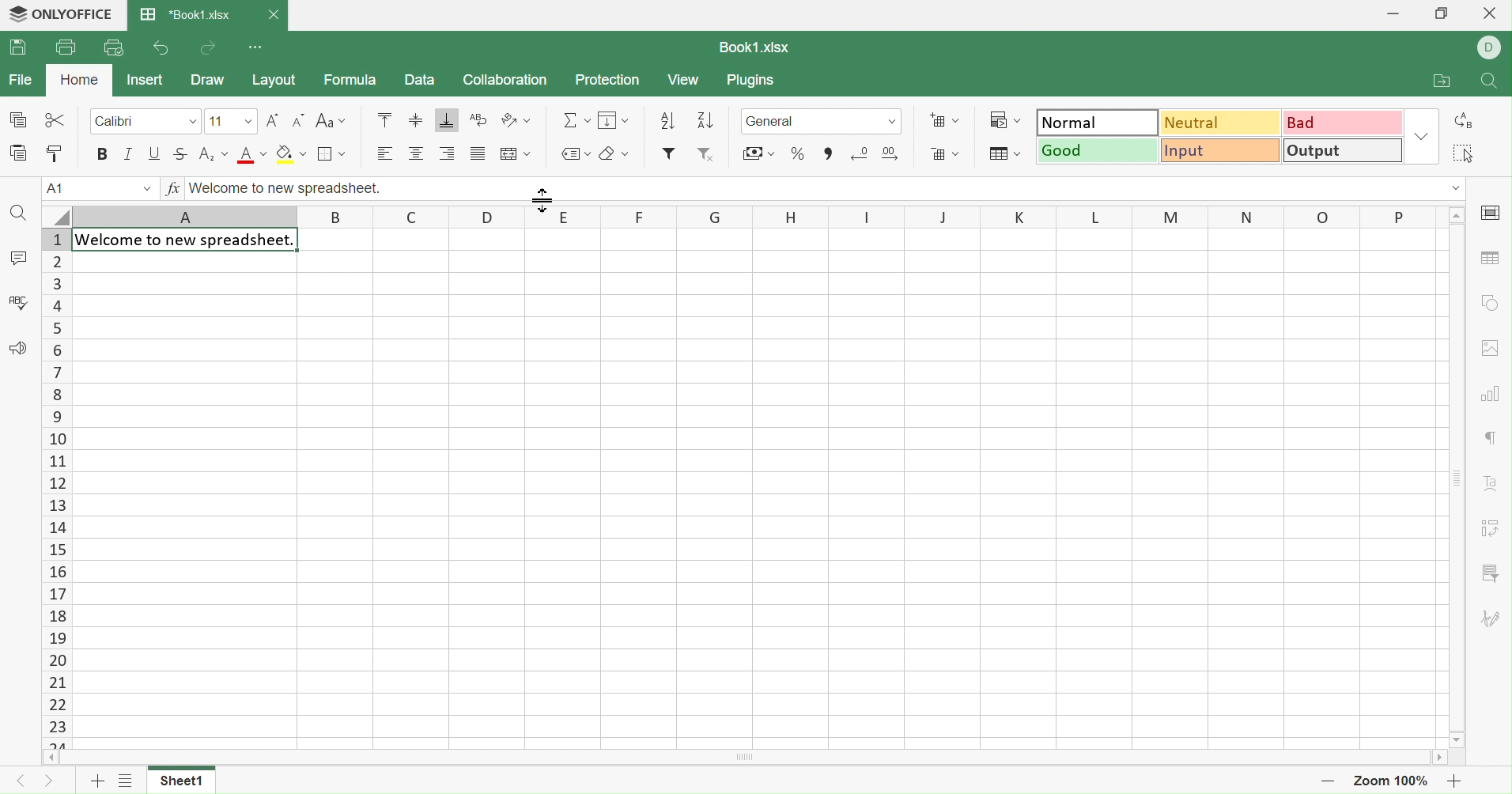 Image resolution: width=1512 pixels, height=794 pixels. I want to click on Paste, so click(16, 153).